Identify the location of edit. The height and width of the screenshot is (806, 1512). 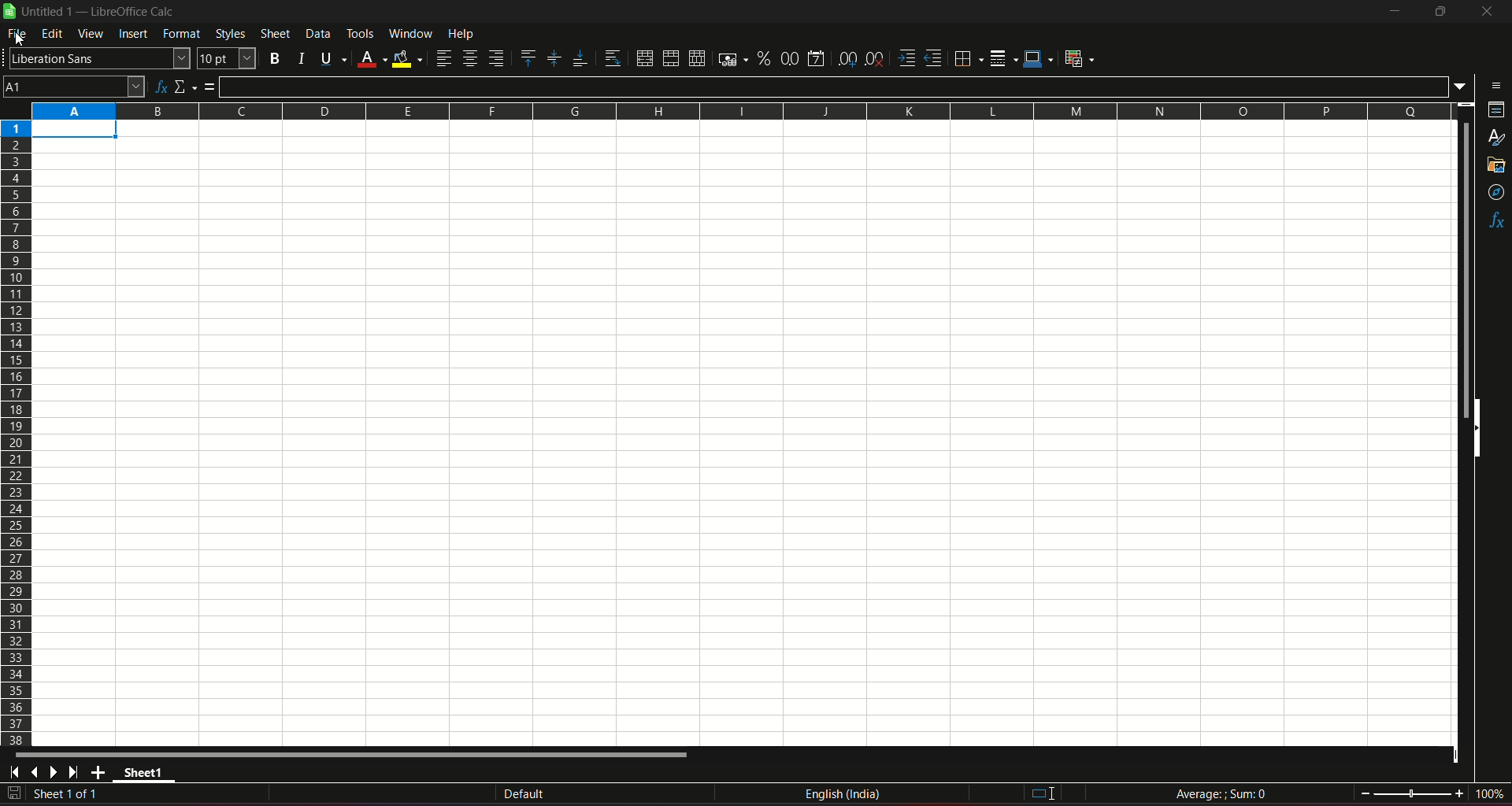
(52, 35).